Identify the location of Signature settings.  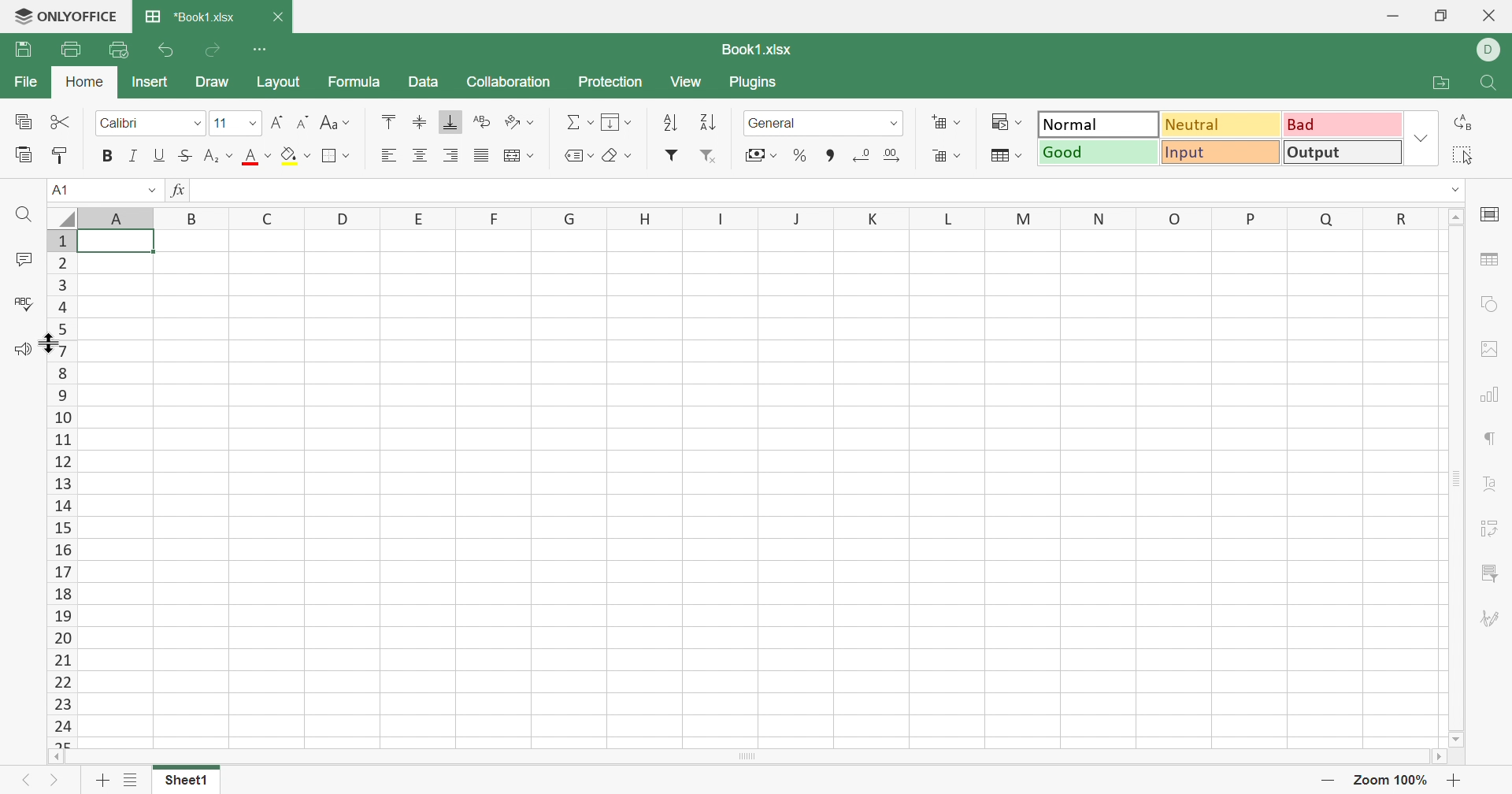
(1492, 619).